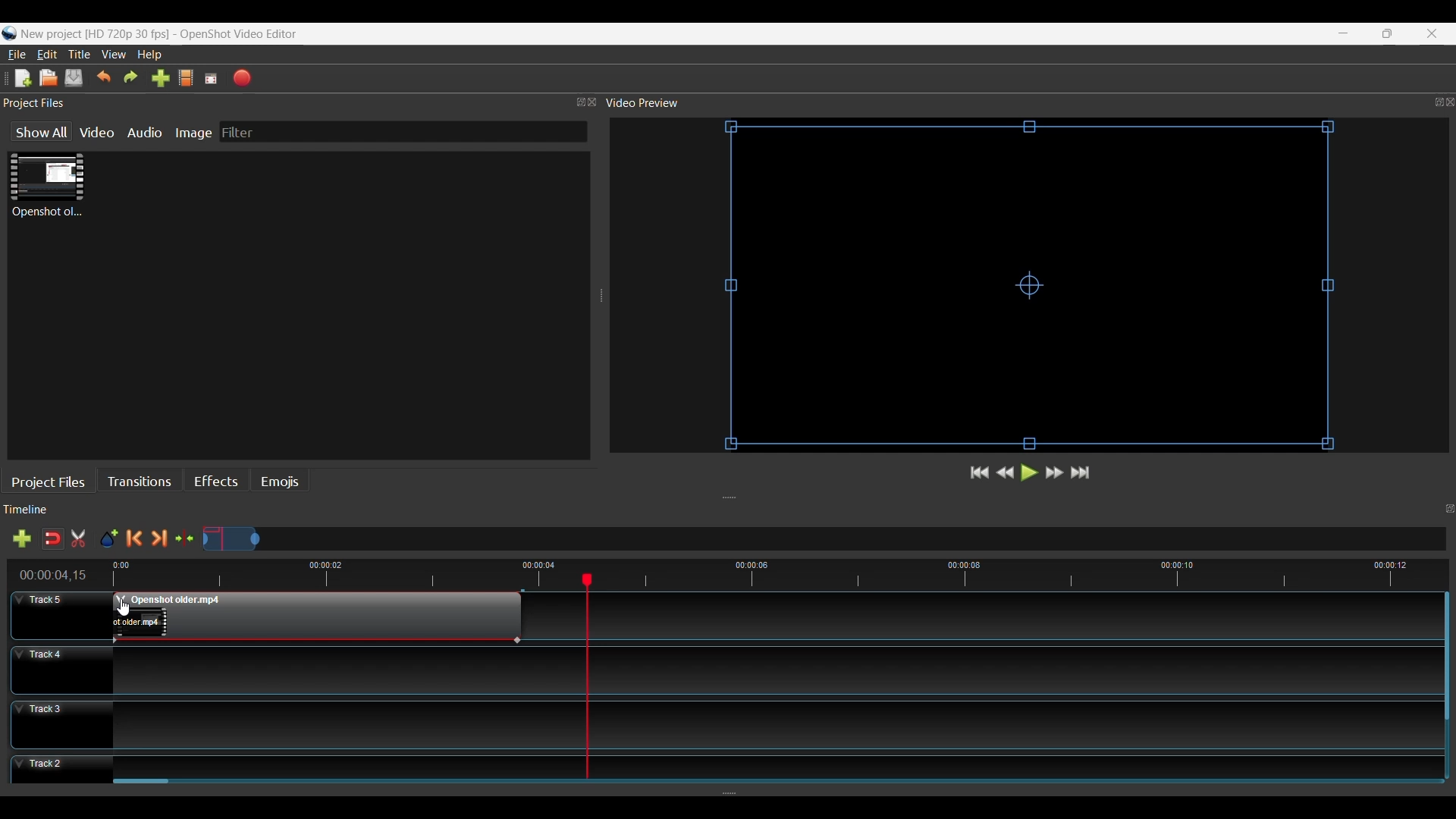 Image resolution: width=1456 pixels, height=819 pixels. Describe the element at coordinates (216, 483) in the screenshot. I see `Effects` at that location.